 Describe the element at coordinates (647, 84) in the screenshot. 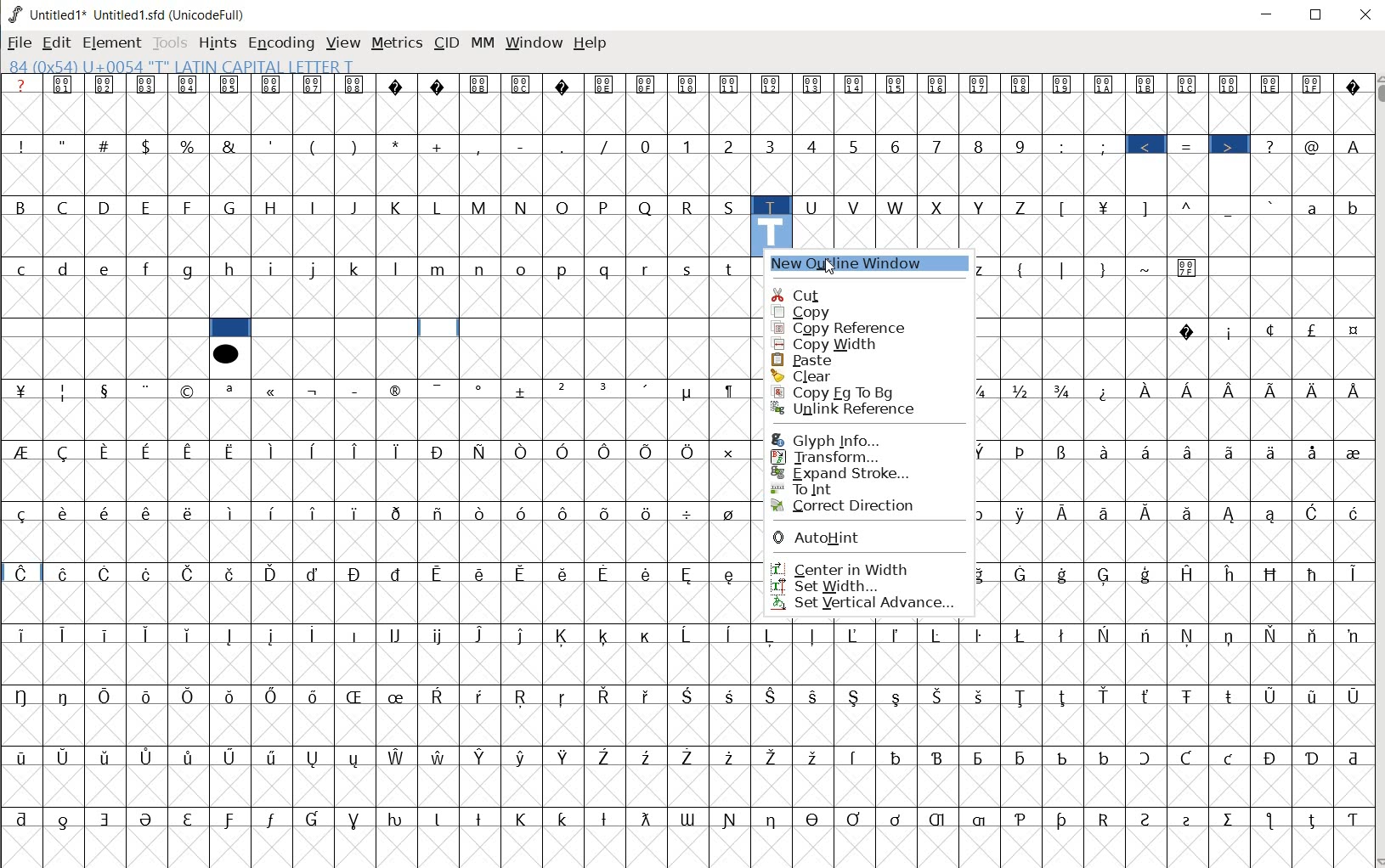

I see `Symbol` at that location.